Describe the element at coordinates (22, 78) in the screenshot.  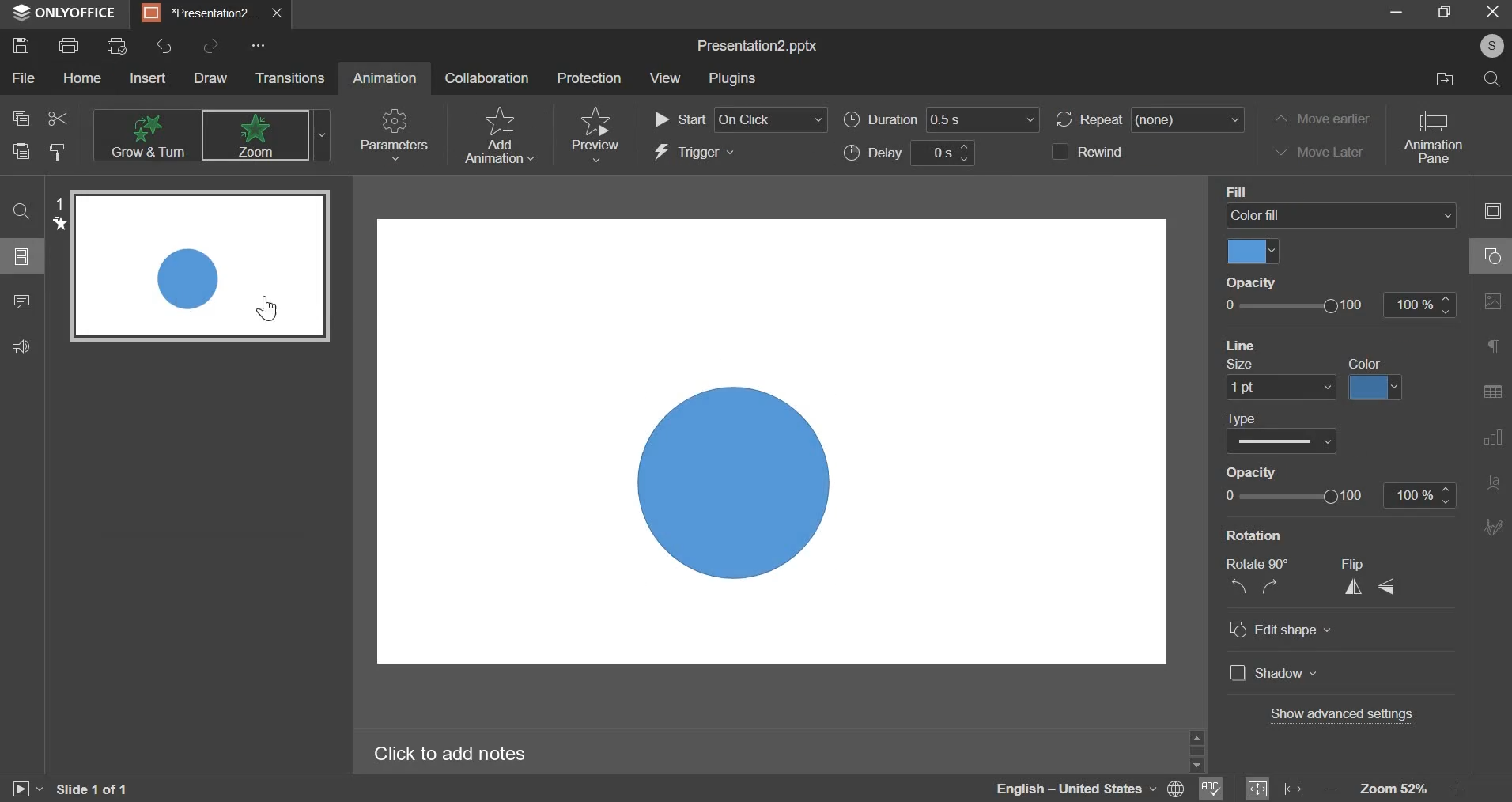
I see `File` at that location.